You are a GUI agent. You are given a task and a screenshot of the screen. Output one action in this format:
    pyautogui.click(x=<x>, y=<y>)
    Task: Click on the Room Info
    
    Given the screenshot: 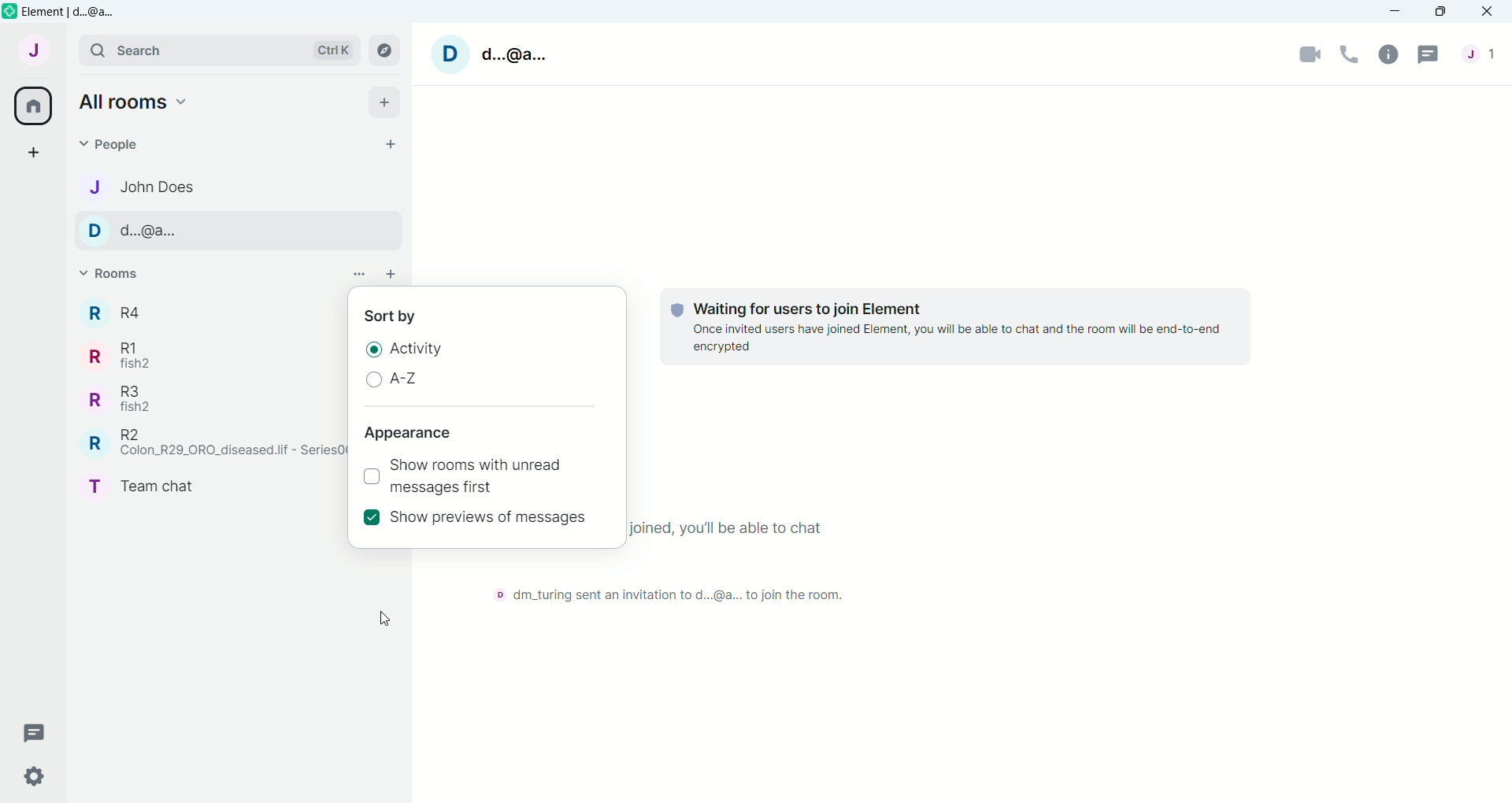 What is the action you would take?
    pyautogui.click(x=1391, y=53)
    